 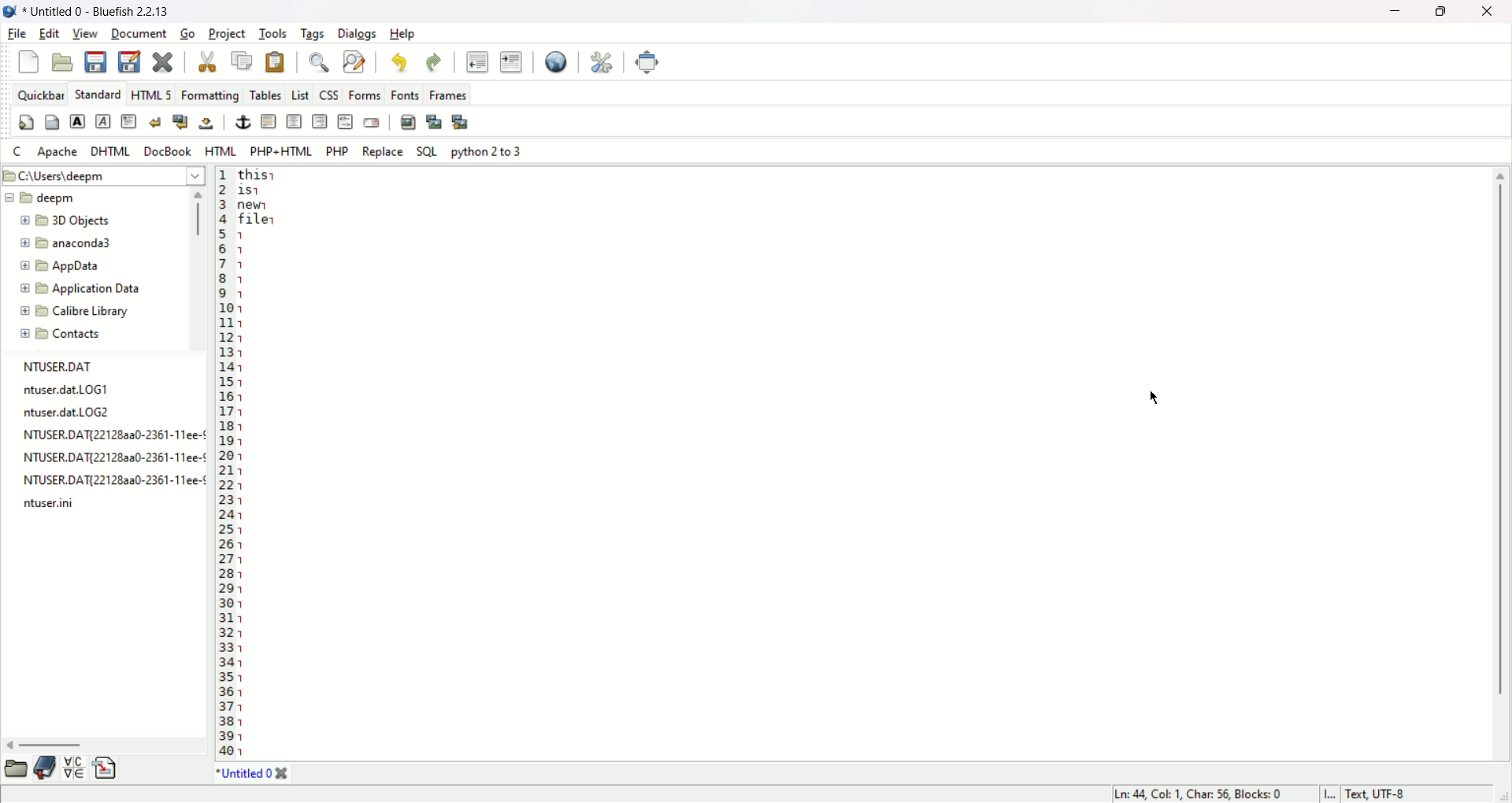 What do you see at coordinates (25, 124) in the screenshot?
I see `quickstart` at bounding box center [25, 124].